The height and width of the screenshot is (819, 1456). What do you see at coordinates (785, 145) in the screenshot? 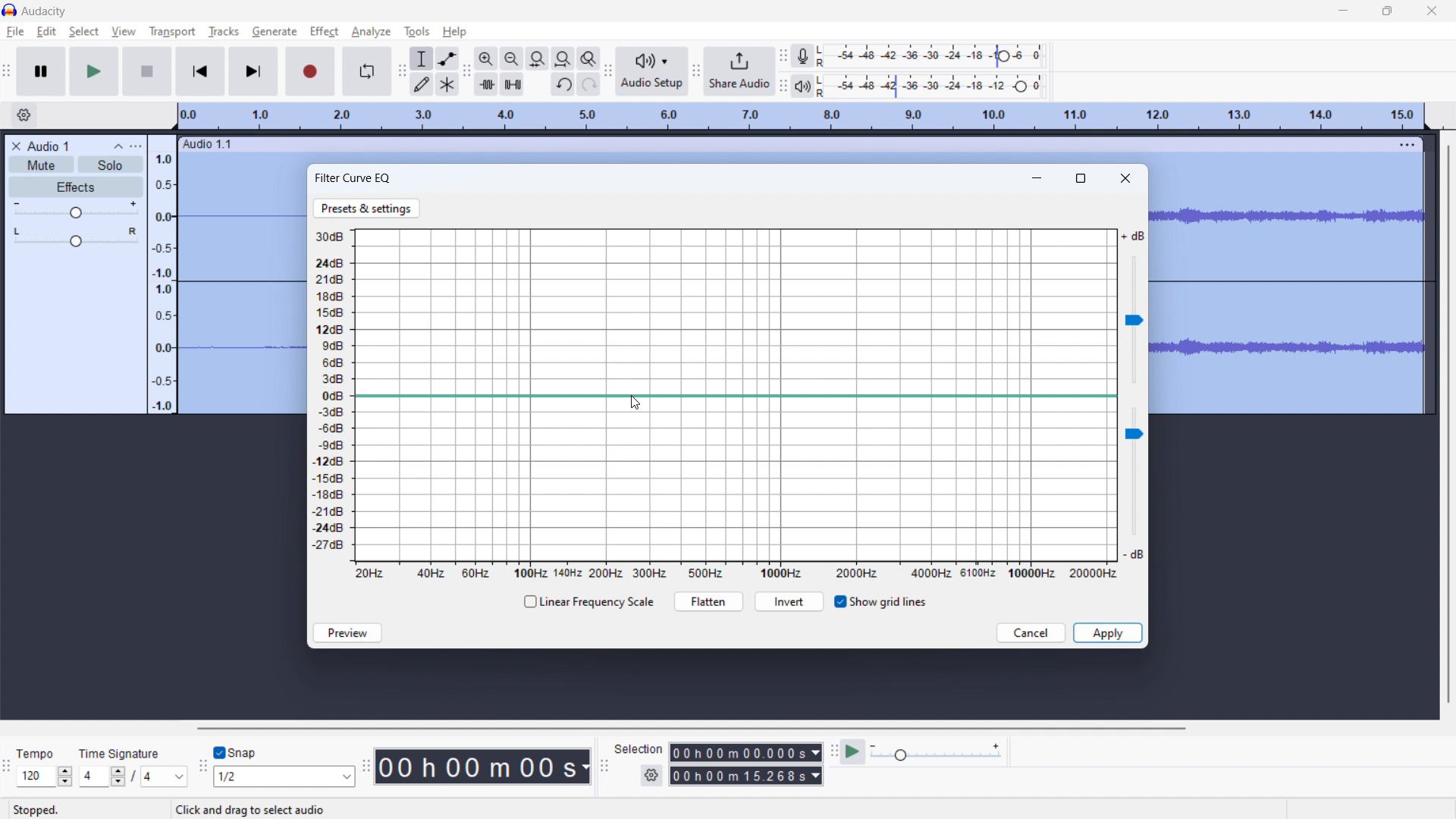
I see `hold to move` at bounding box center [785, 145].